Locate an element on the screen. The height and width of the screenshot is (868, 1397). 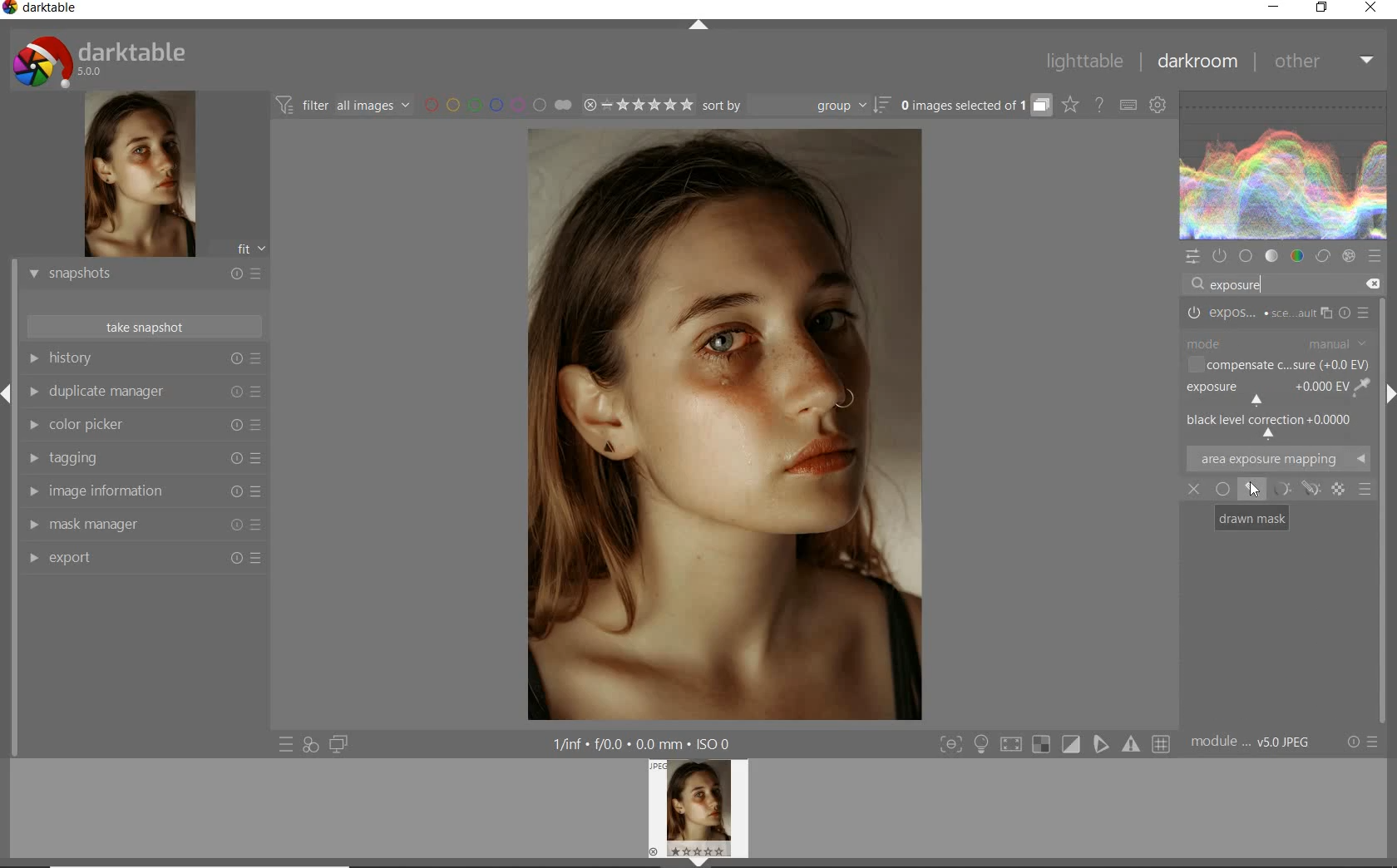
WAVEFORM is located at coordinates (1283, 165).